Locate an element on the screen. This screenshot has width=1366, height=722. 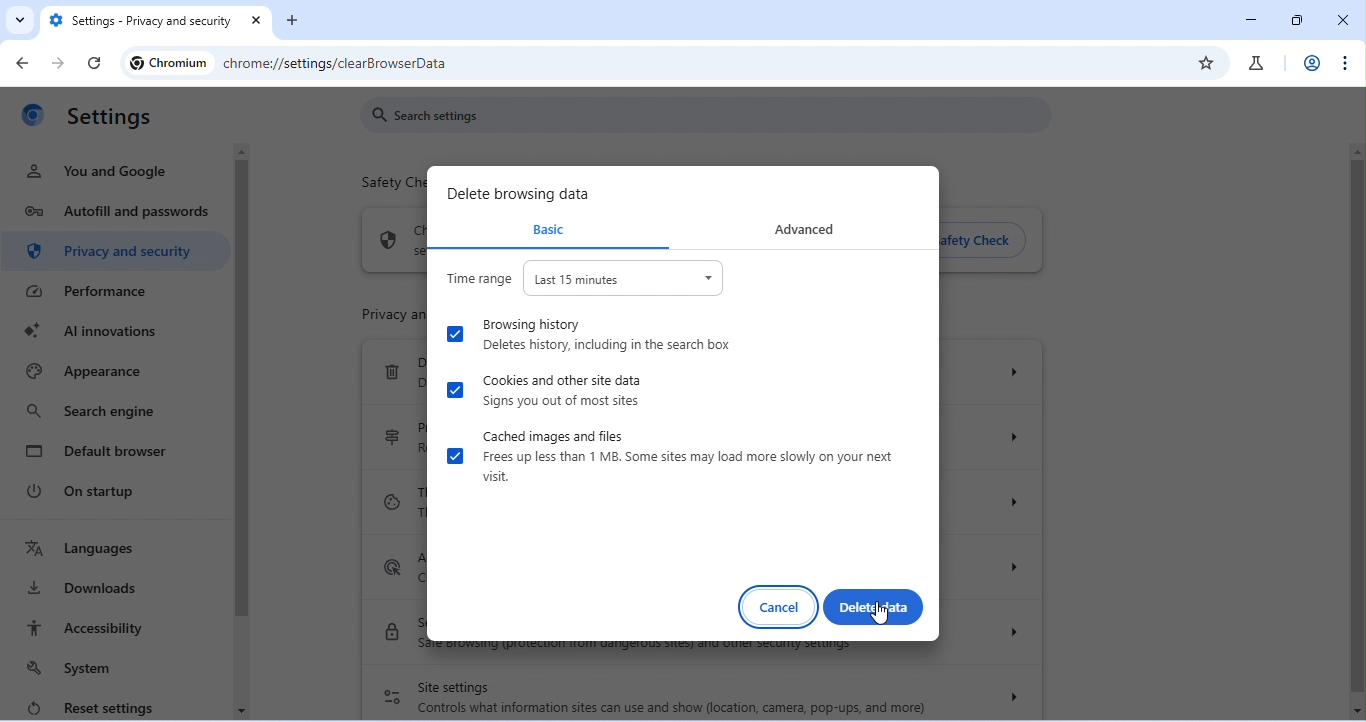
delete icon is located at coordinates (390, 372).